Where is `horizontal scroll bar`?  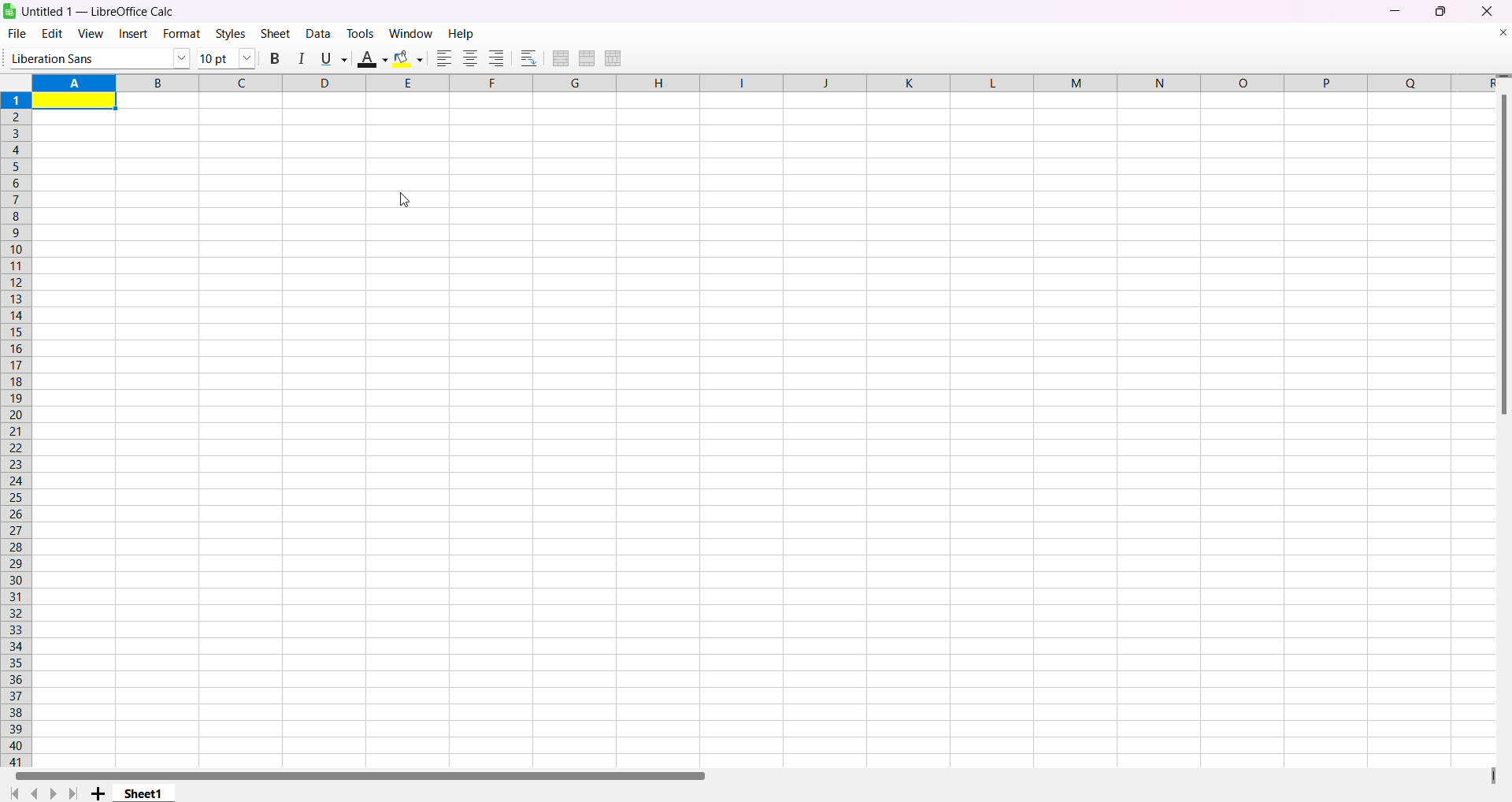 horizontal scroll bar is located at coordinates (361, 774).